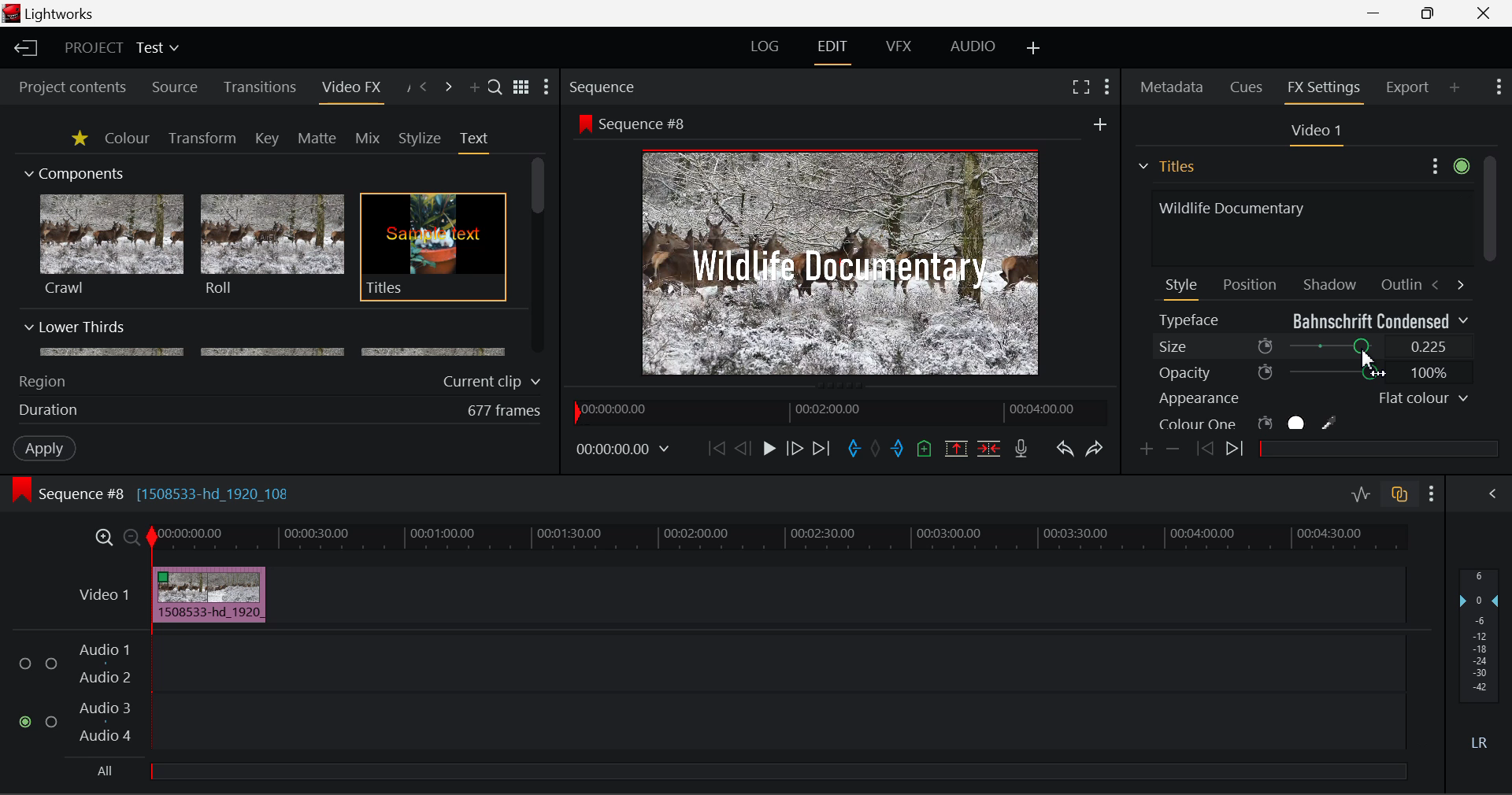 The height and width of the screenshot is (795, 1512). I want to click on Next keyframe, so click(1237, 451).